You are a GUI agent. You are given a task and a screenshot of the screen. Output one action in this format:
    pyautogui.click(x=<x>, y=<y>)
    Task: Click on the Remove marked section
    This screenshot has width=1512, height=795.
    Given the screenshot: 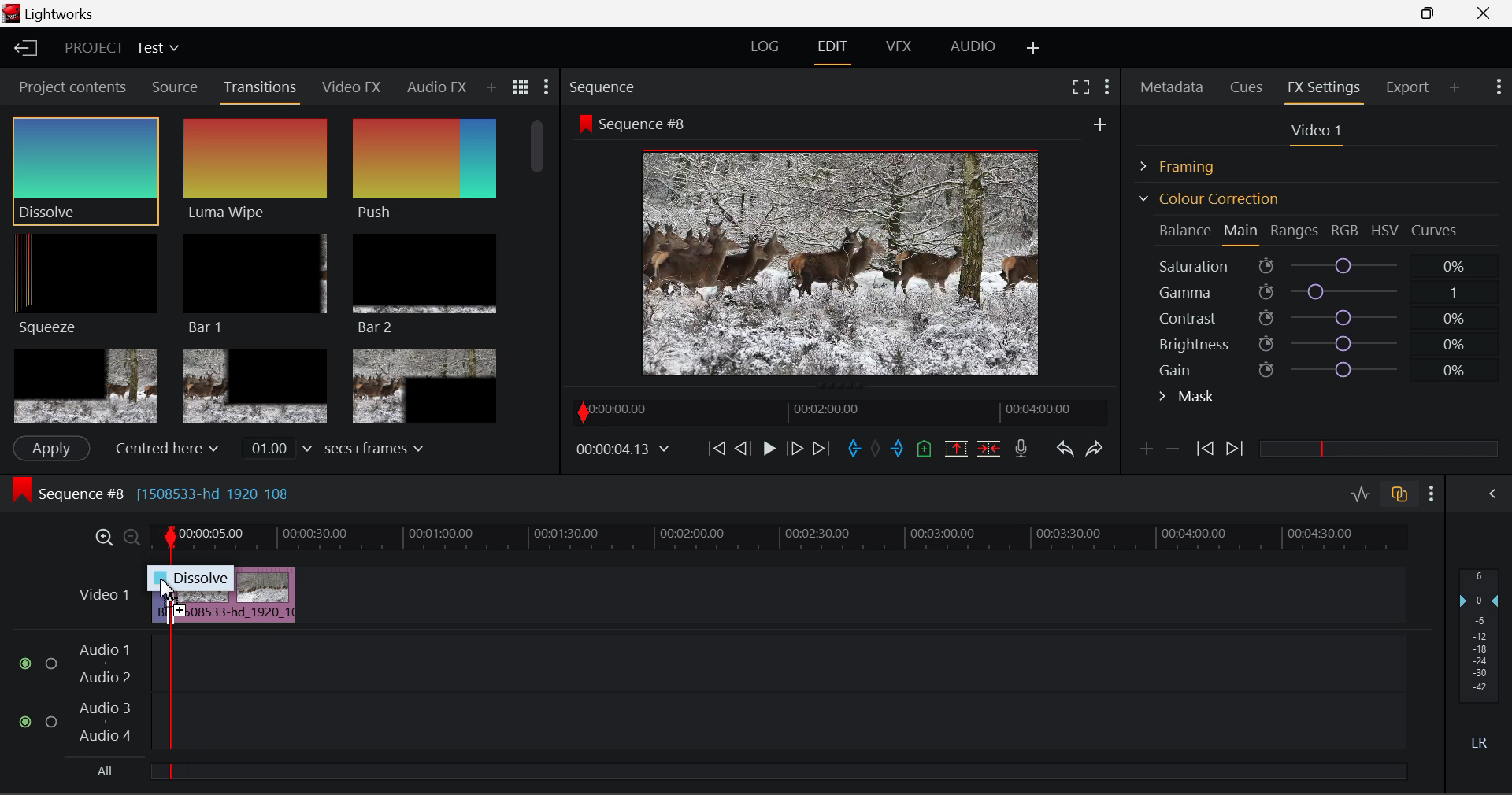 What is the action you would take?
    pyautogui.click(x=955, y=447)
    